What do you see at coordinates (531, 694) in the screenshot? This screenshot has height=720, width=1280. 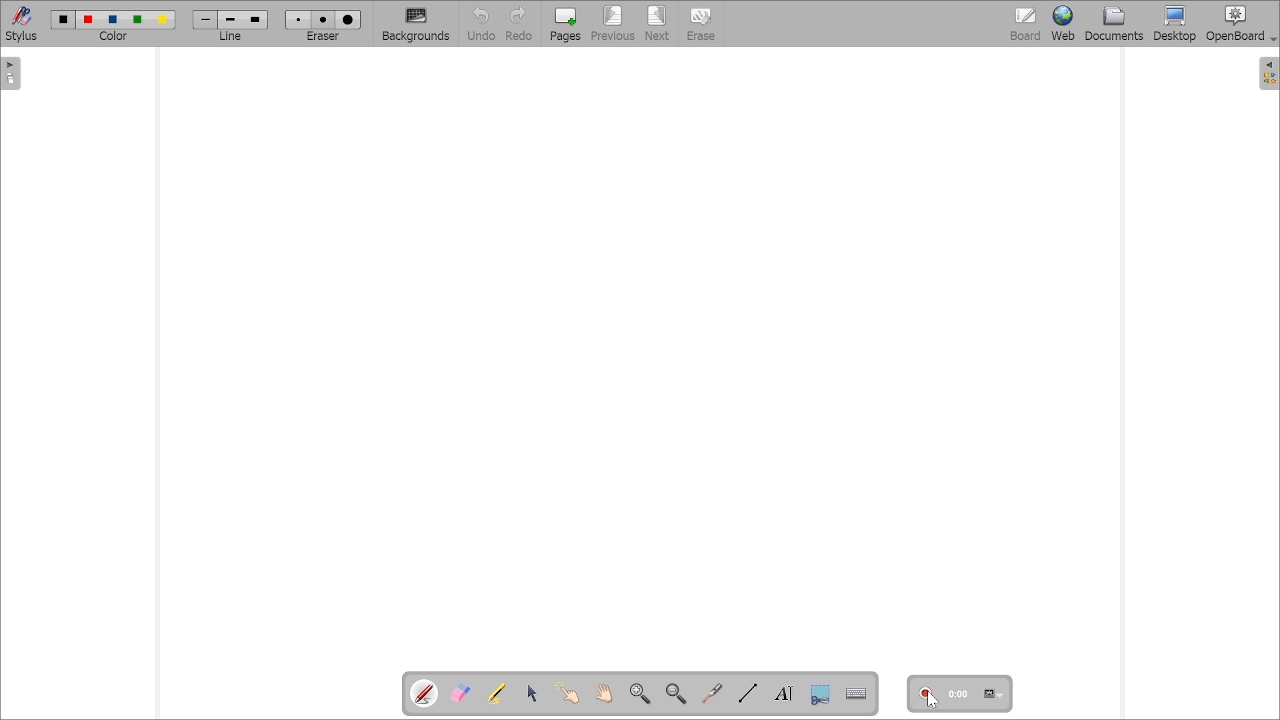 I see `Select and modify objects` at bounding box center [531, 694].